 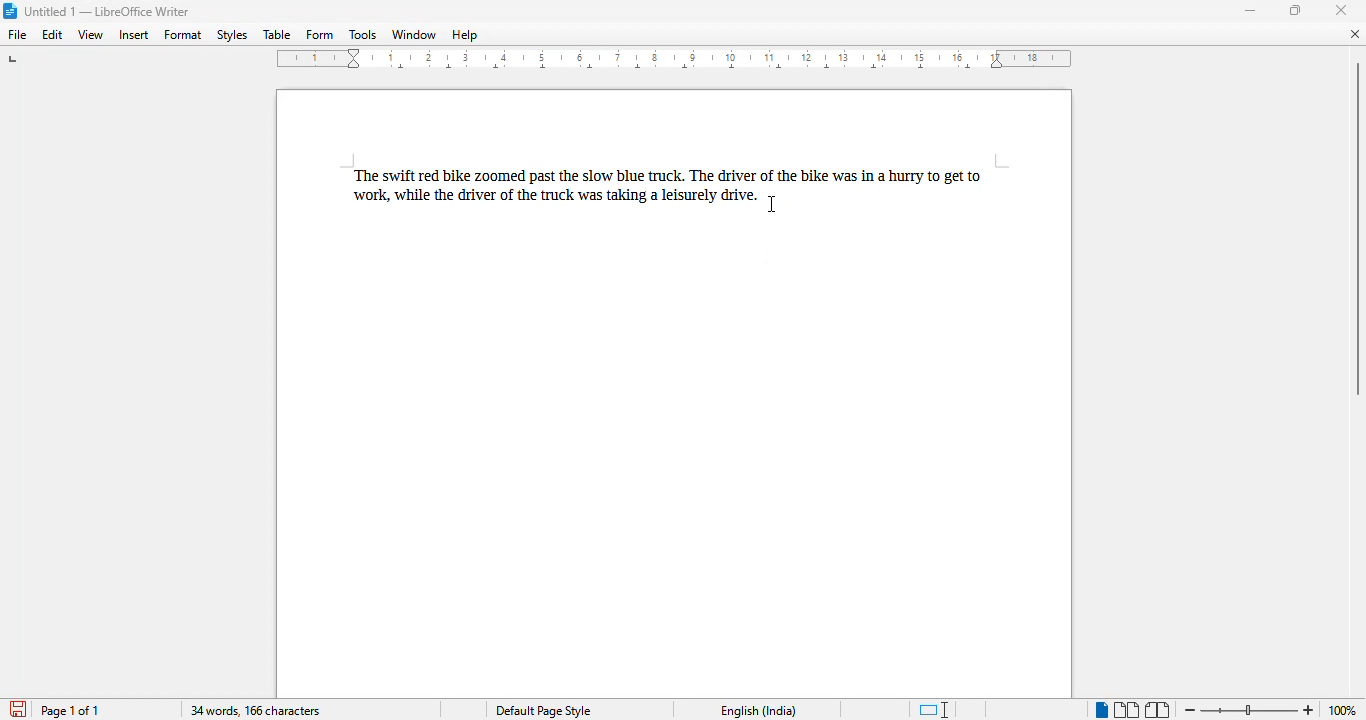 What do you see at coordinates (1345, 710) in the screenshot?
I see `100% (current zoom level)` at bounding box center [1345, 710].